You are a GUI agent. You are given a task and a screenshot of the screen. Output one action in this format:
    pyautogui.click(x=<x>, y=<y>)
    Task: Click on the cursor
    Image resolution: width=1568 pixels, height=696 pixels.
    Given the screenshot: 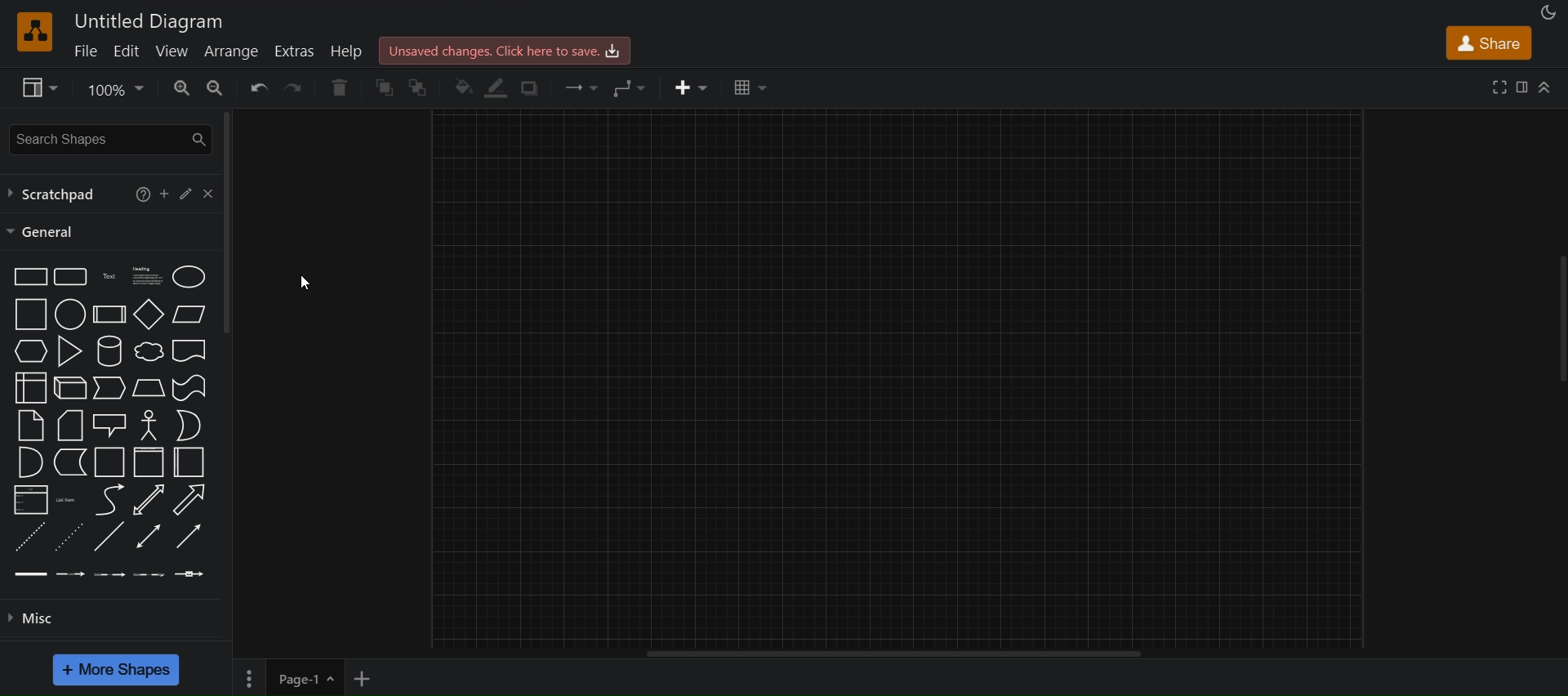 What is the action you would take?
    pyautogui.click(x=296, y=285)
    